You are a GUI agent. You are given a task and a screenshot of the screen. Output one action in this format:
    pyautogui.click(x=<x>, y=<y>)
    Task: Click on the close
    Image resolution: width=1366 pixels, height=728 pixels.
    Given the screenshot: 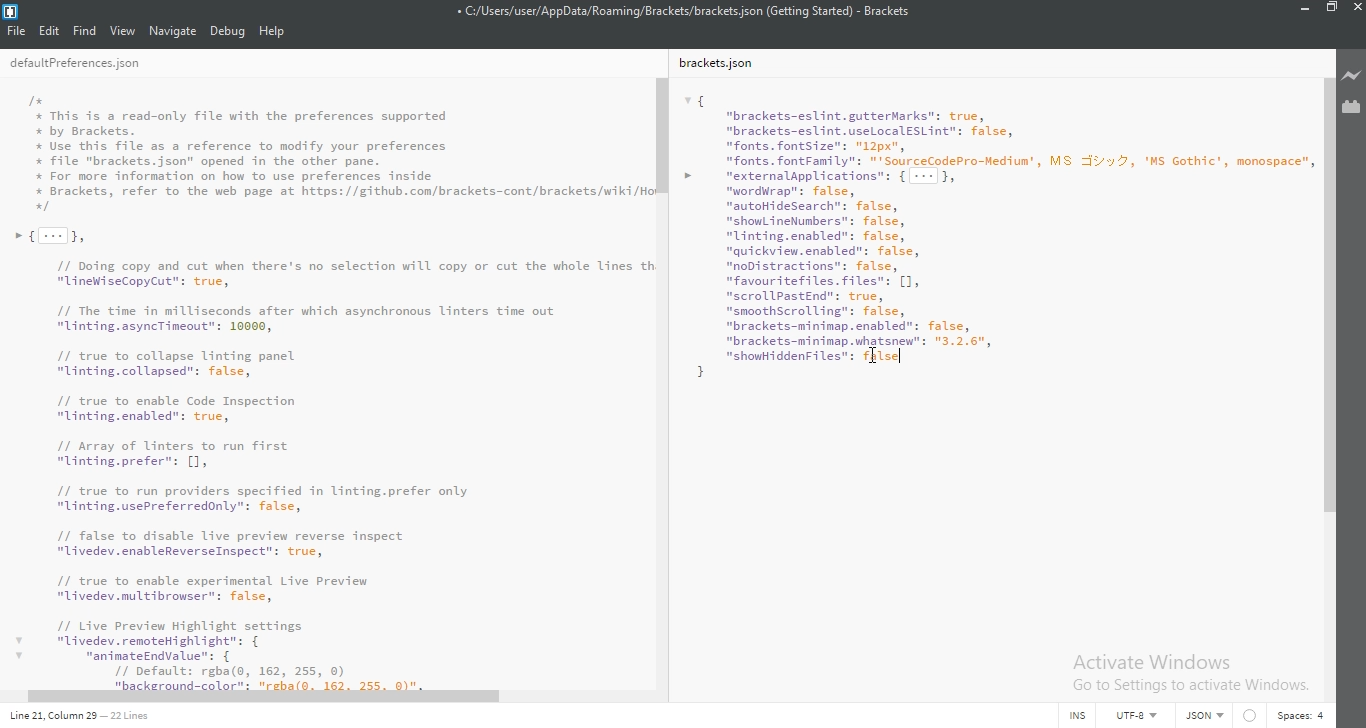 What is the action you would take?
    pyautogui.click(x=1357, y=8)
    